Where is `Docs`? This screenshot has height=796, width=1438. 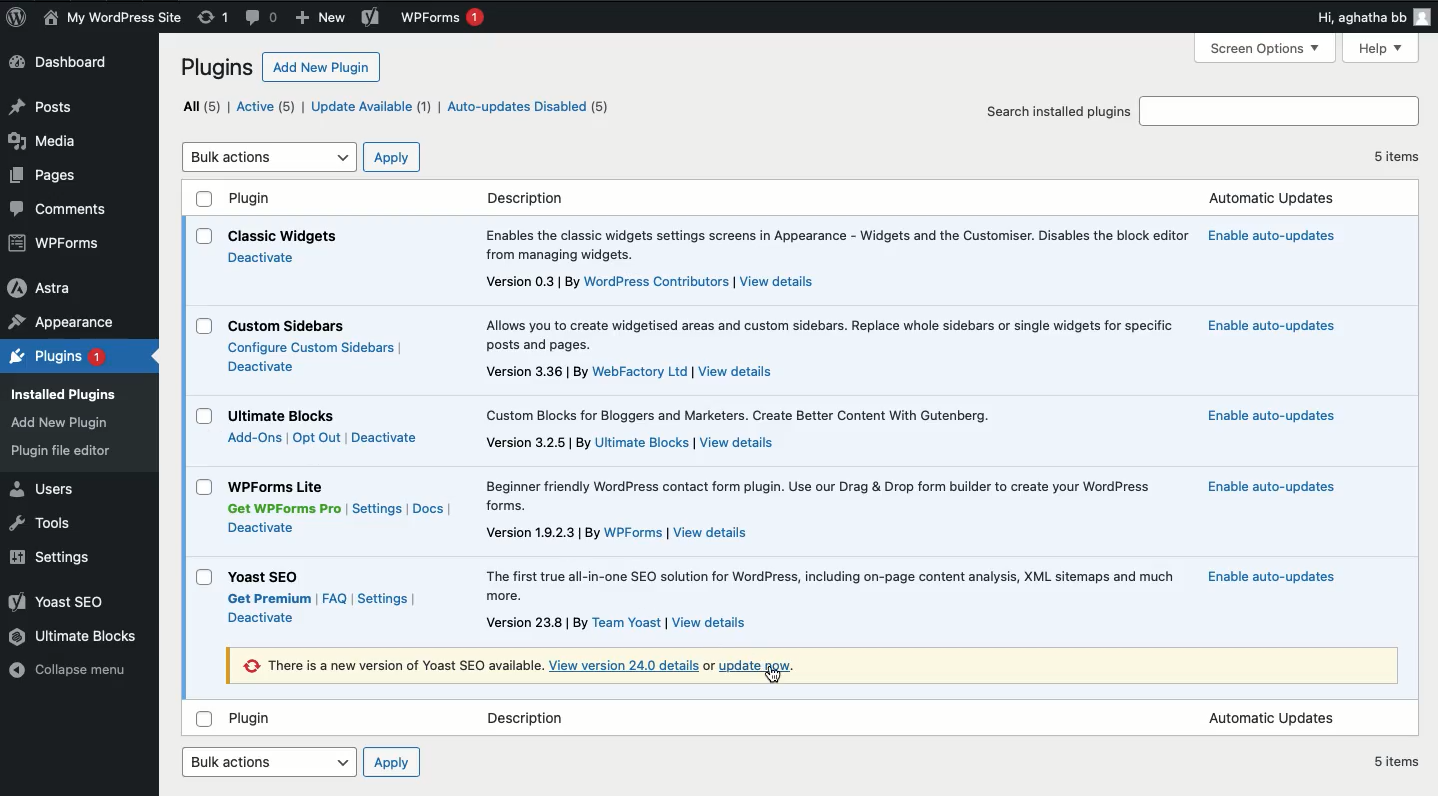
Docs is located at coordinates (428, 510).